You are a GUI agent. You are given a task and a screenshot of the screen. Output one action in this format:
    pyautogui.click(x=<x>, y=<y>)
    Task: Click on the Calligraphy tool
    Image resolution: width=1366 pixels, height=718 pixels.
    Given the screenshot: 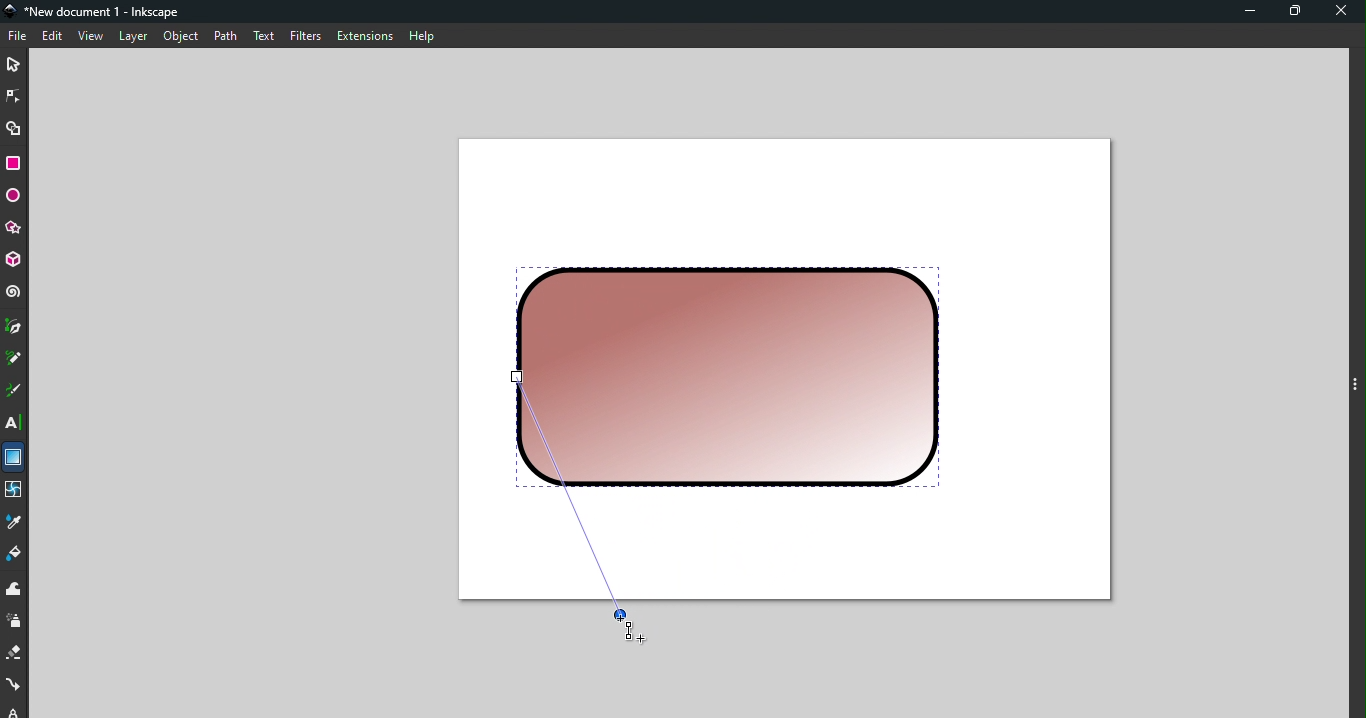 What is the action you would take?
    pyautogui.click(x=13, y=393)
    